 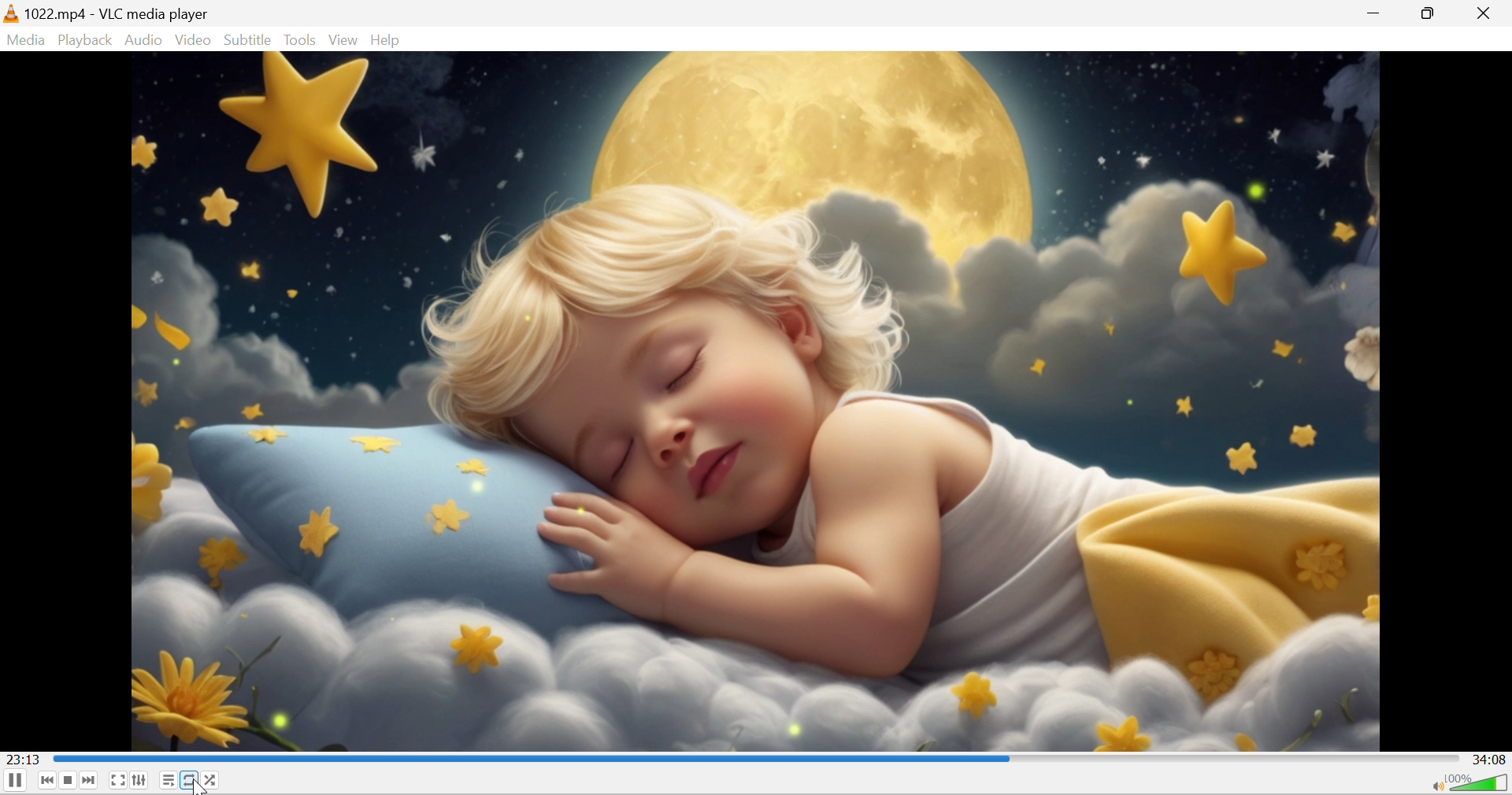 I want to click on Shuffle, so click(x=213, y=780).